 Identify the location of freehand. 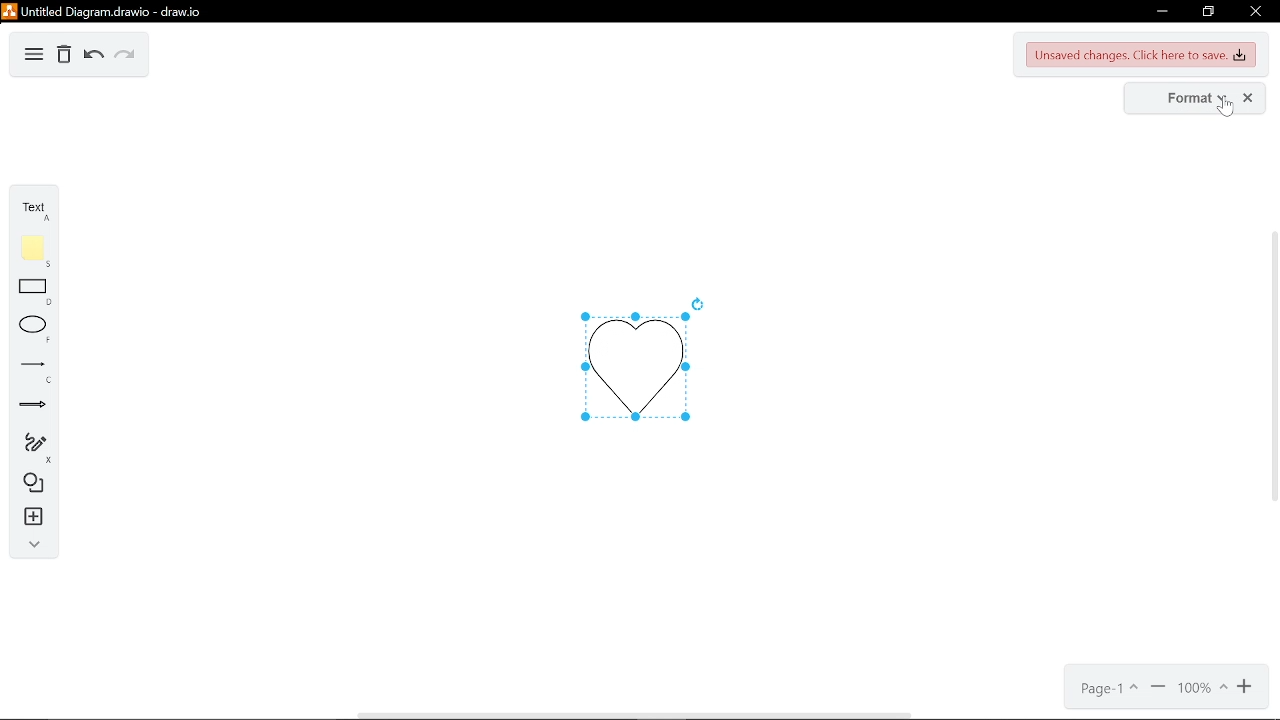
(32, 448).